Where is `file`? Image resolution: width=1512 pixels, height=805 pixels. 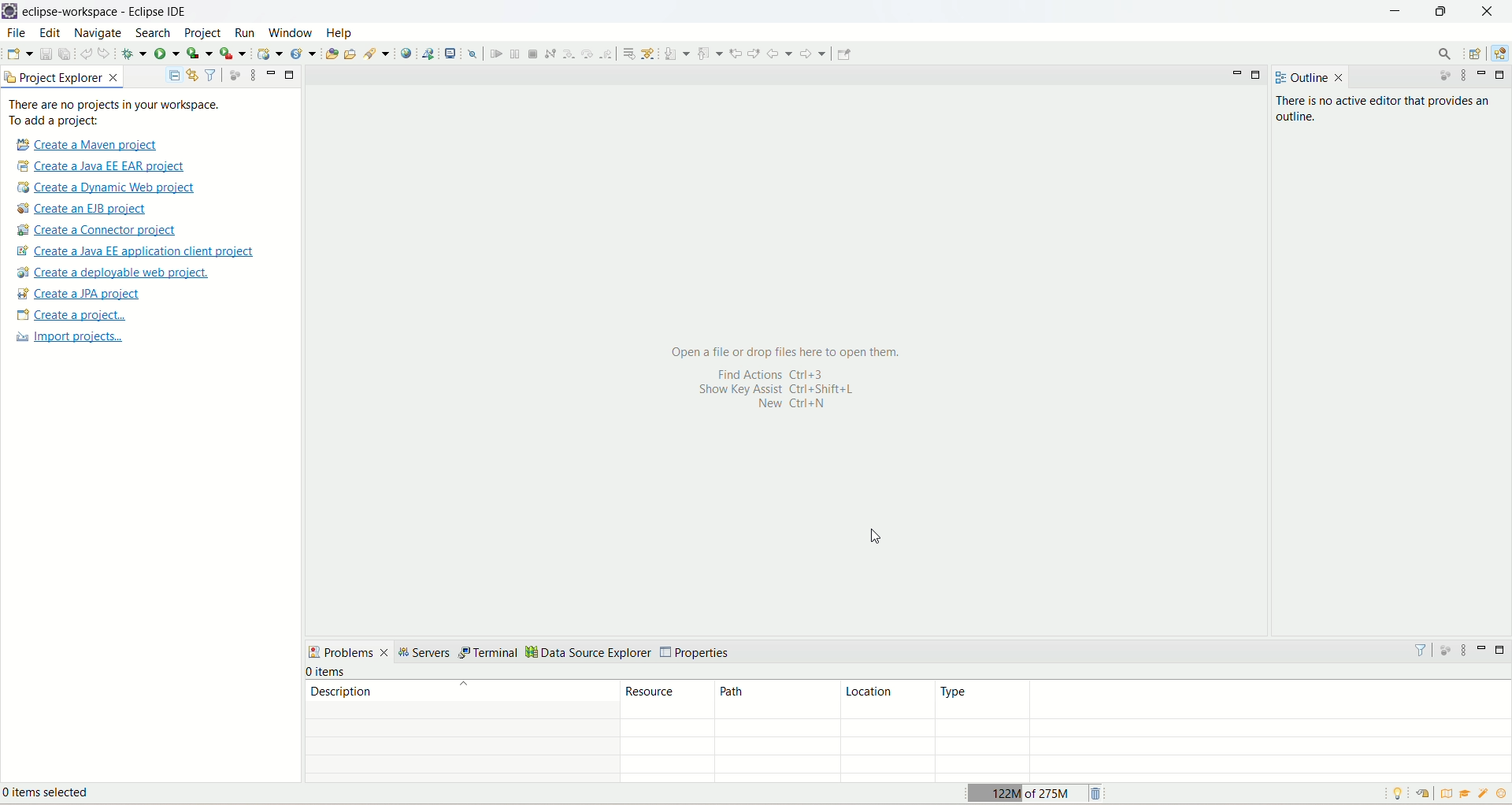 file is located at coordinates (16, 32).